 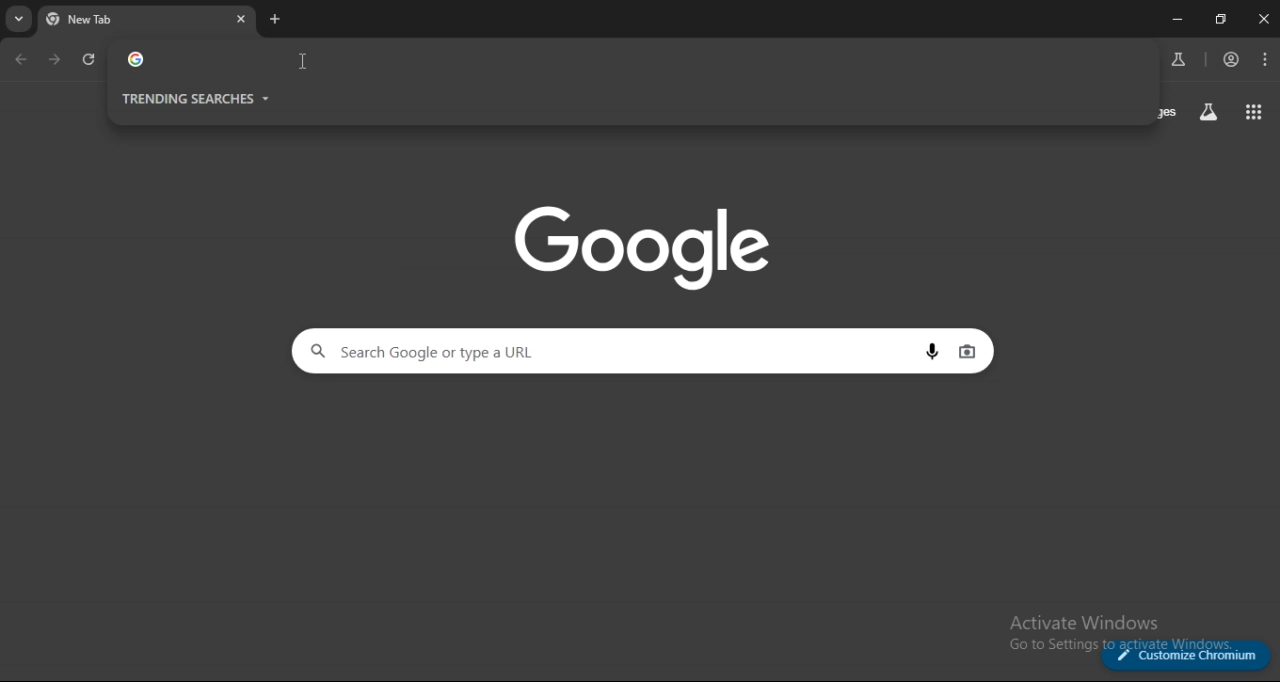 I want to click on restore down, so click(x=1218, y=19).